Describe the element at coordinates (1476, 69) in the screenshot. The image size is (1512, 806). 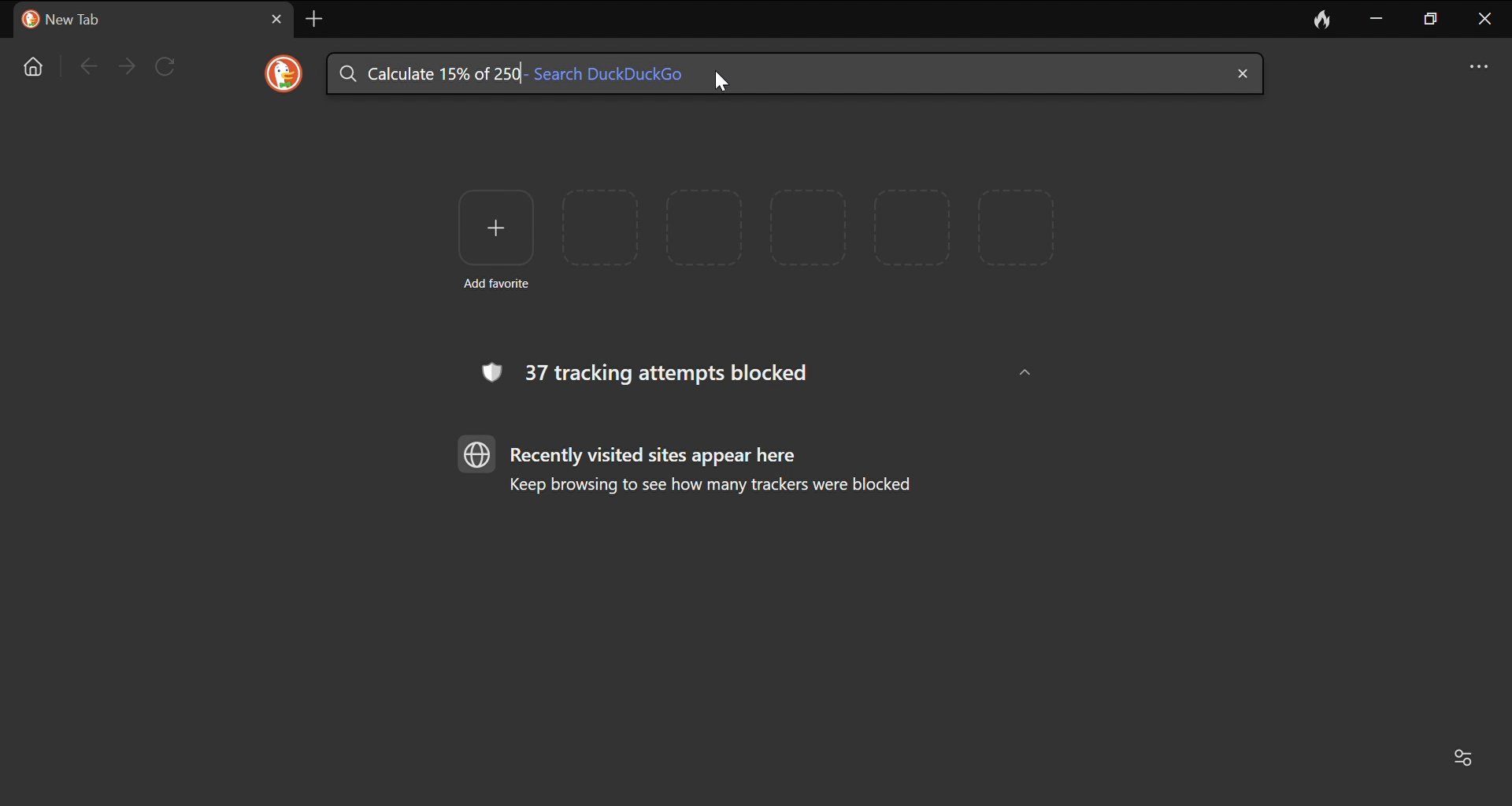
I see `options` at that location.